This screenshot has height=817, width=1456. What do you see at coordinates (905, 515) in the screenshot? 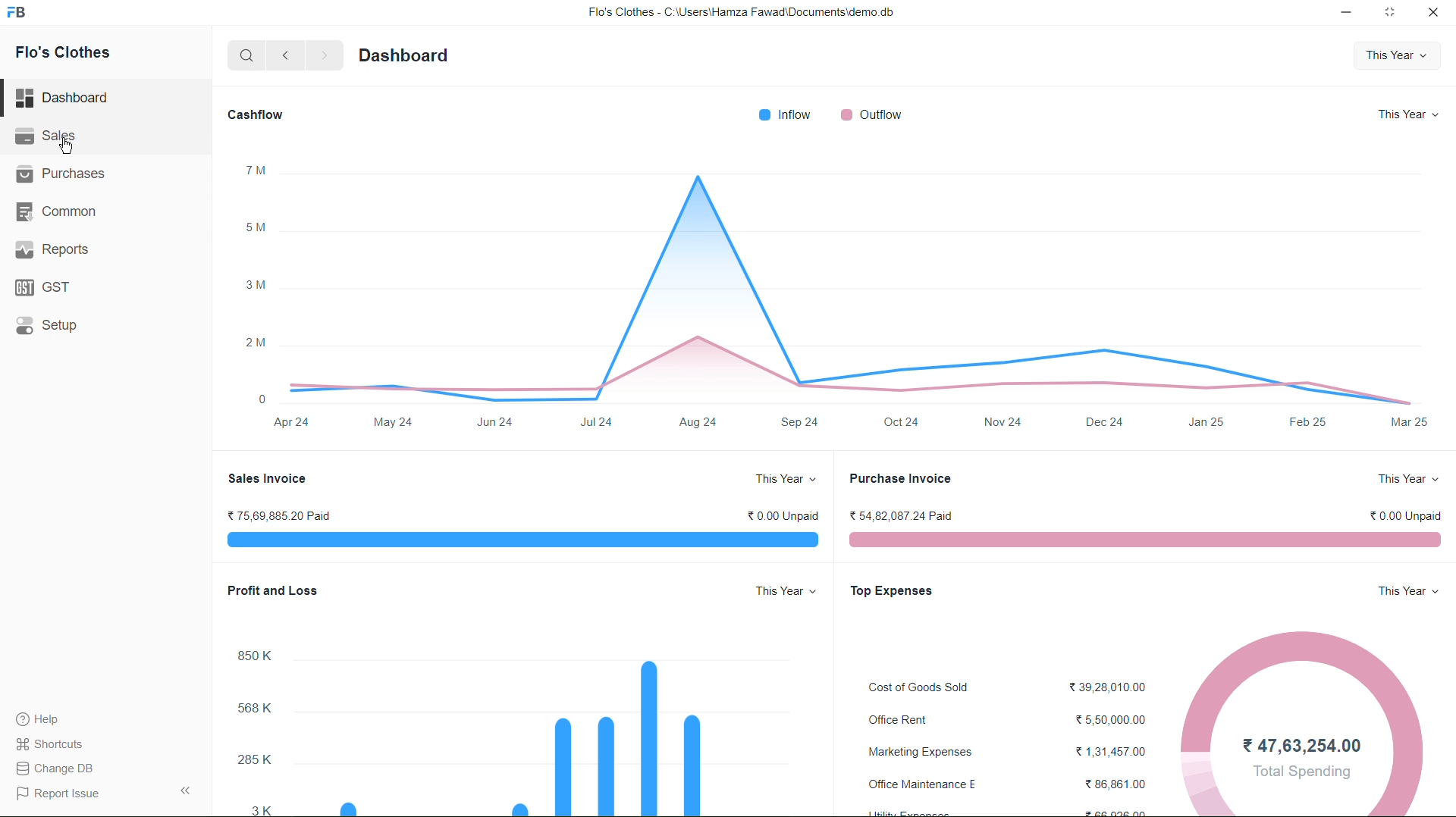
I see `Rs. 54,82,087 24 Paid` at bounding box center [905, 515].